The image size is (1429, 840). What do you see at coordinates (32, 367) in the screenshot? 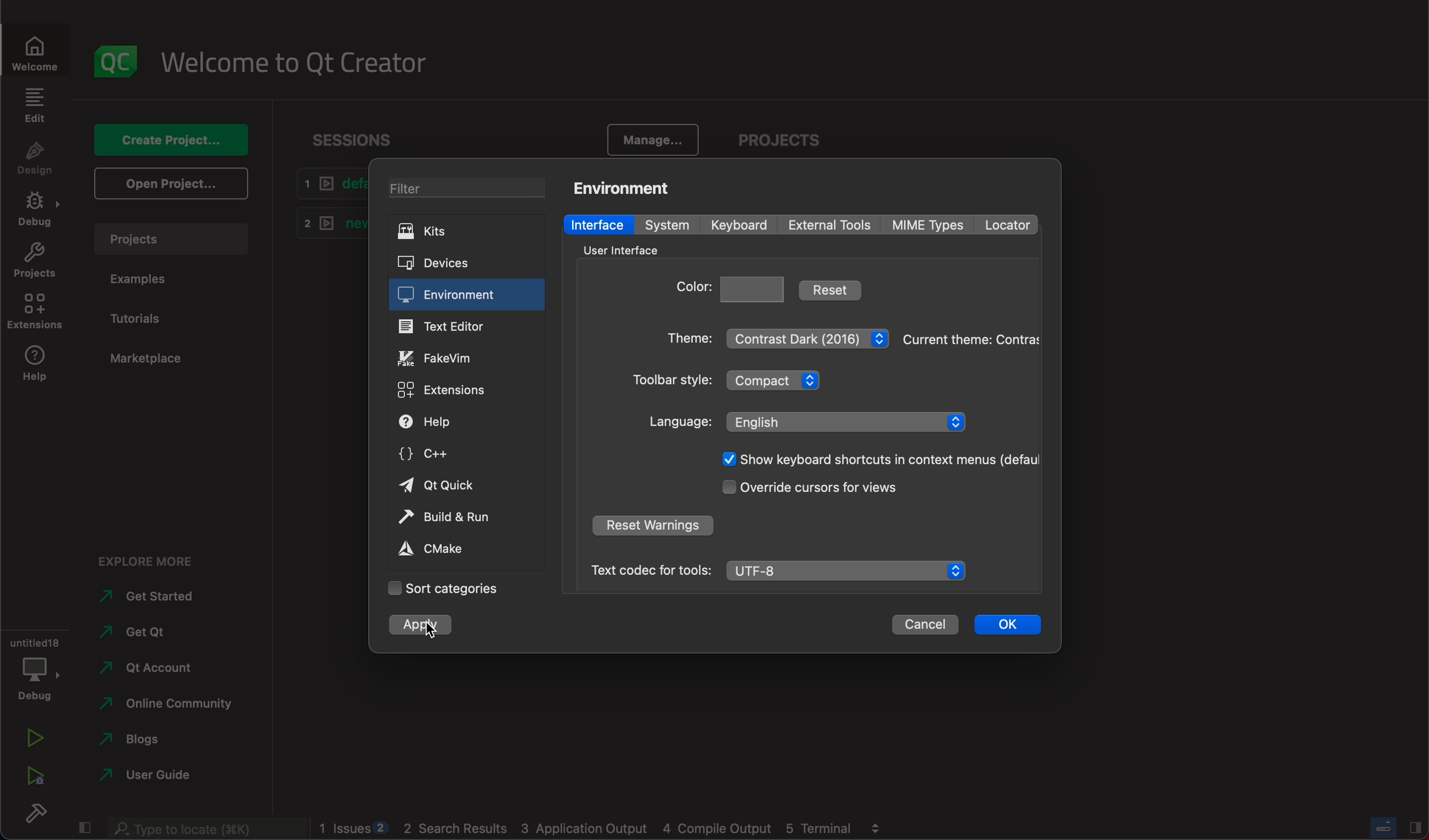
I see `help` at bounding box center [32, 367].